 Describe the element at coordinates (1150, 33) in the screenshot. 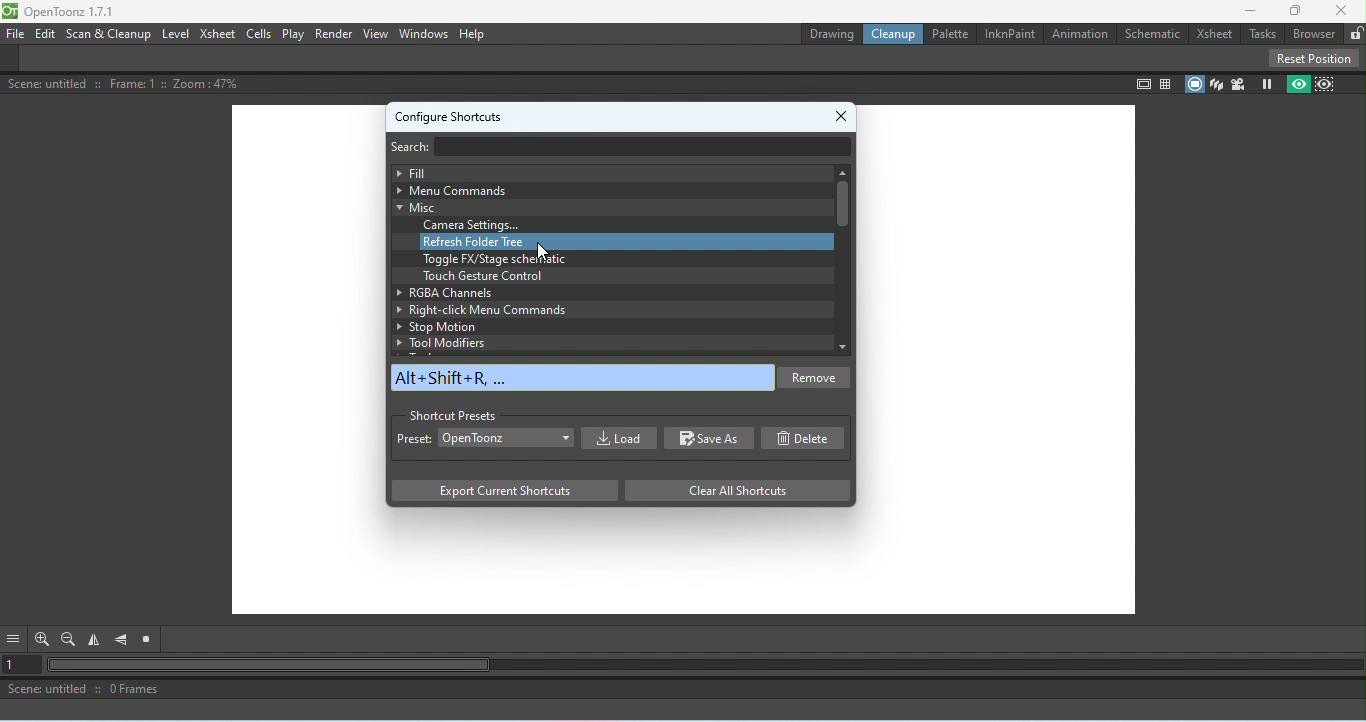

I see `Schematic` at that location.